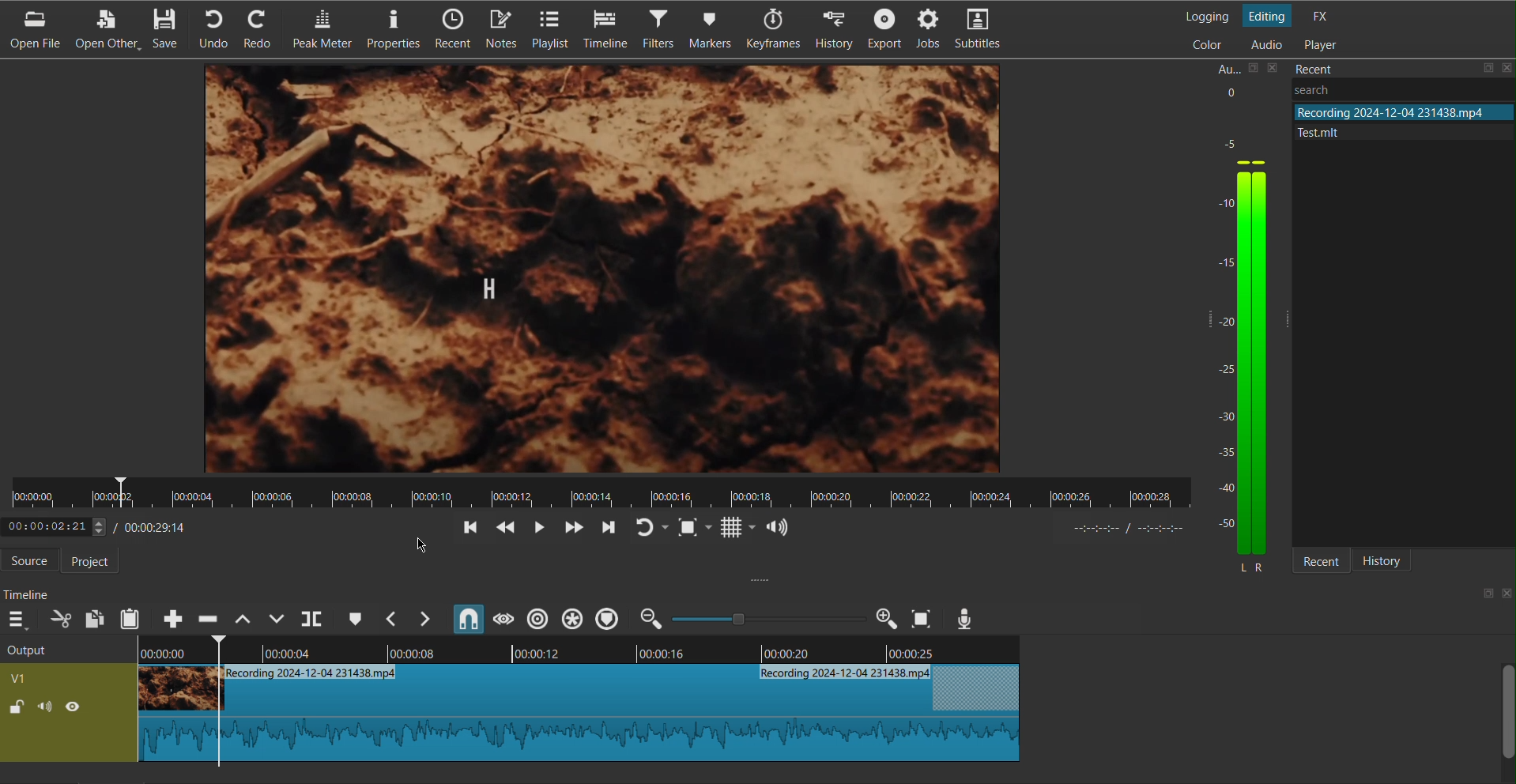 The height and width of the screenshot is (784, 1516). What do you see at coordinates (32, 29) in the screenshot?
I see `Open File` at bounding box center [32, 29].